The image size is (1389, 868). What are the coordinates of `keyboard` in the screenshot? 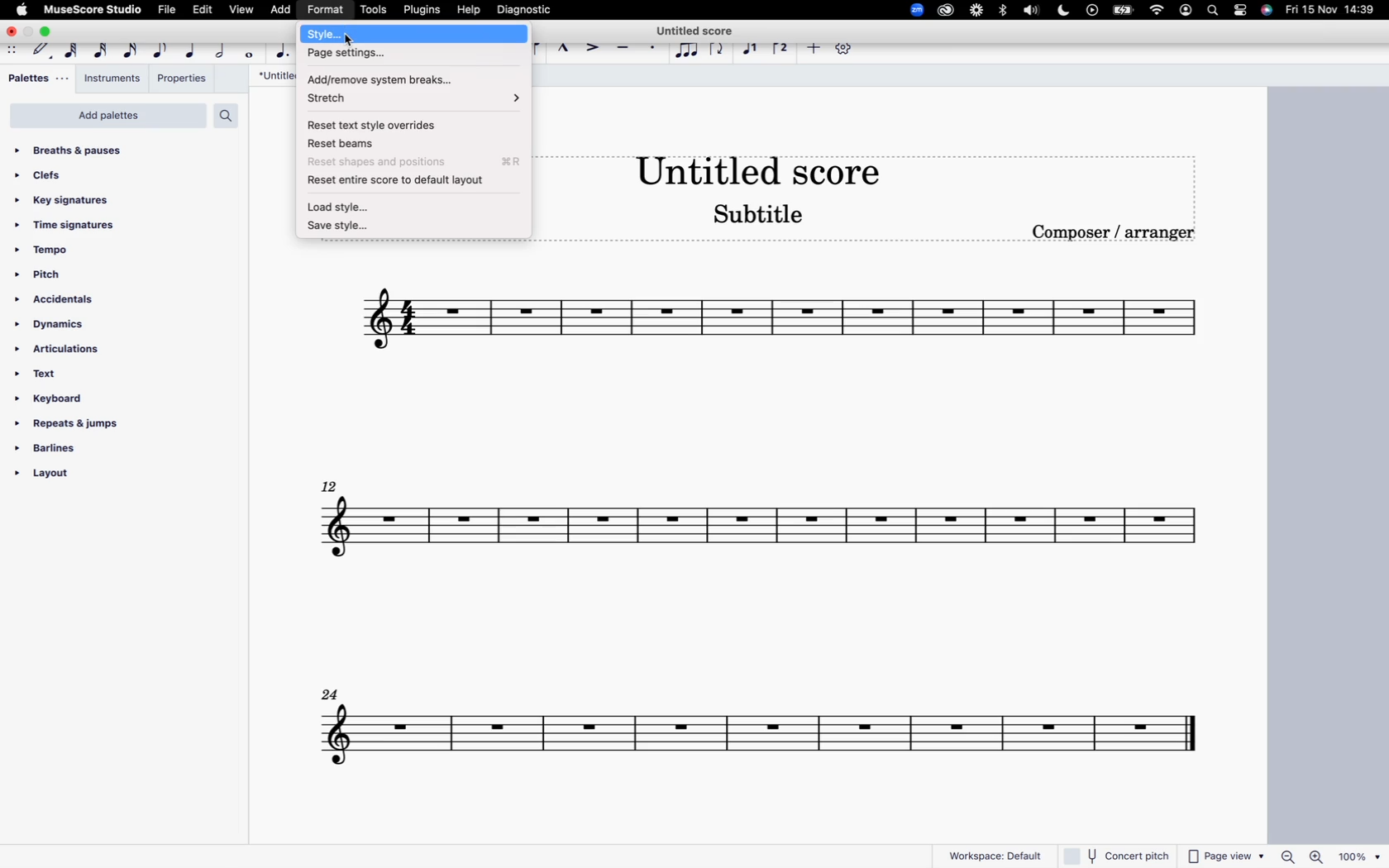 It's located at (56, 398).